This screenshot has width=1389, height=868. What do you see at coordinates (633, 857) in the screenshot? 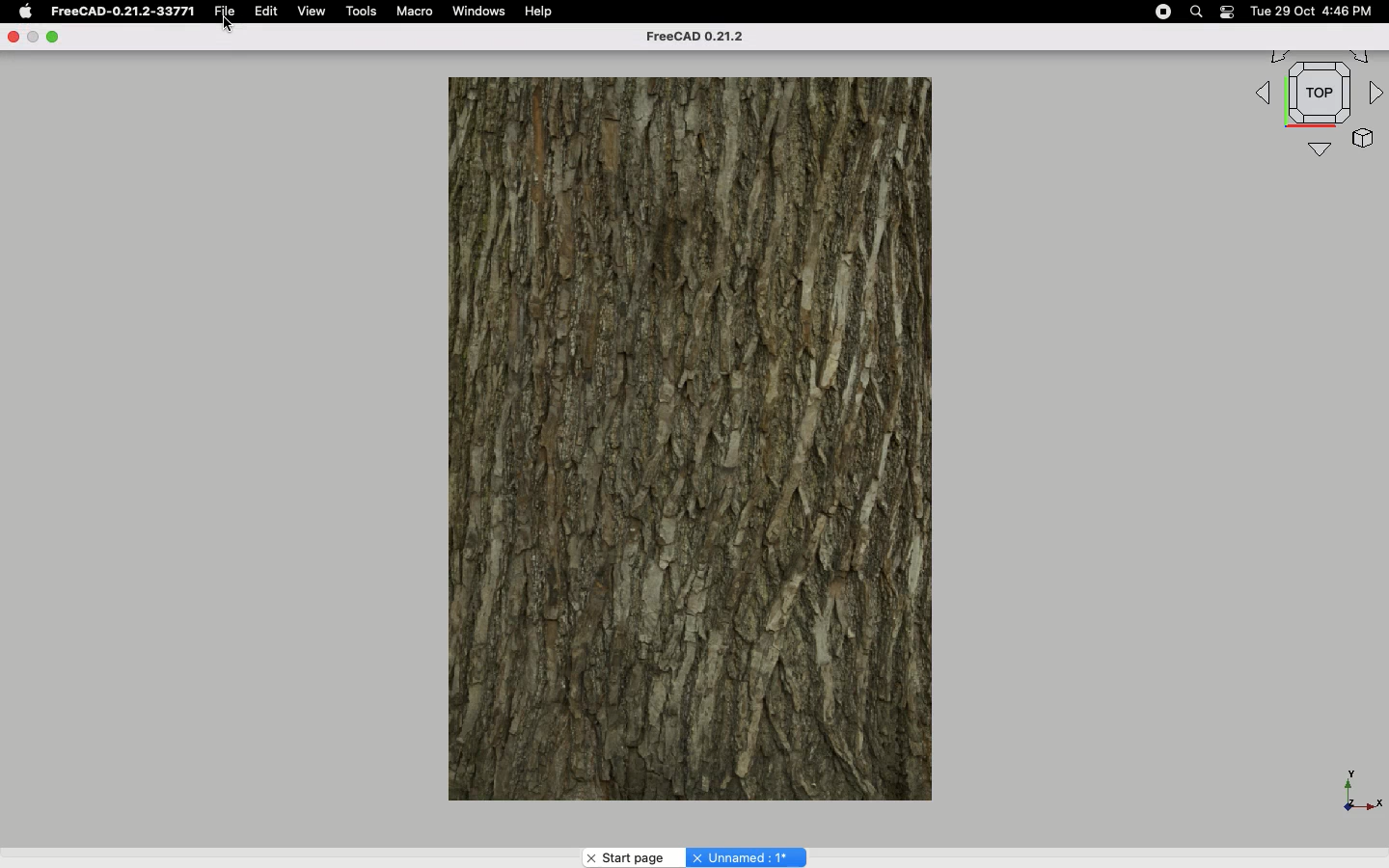
I see `Start page` at bounding box center [633, 857].